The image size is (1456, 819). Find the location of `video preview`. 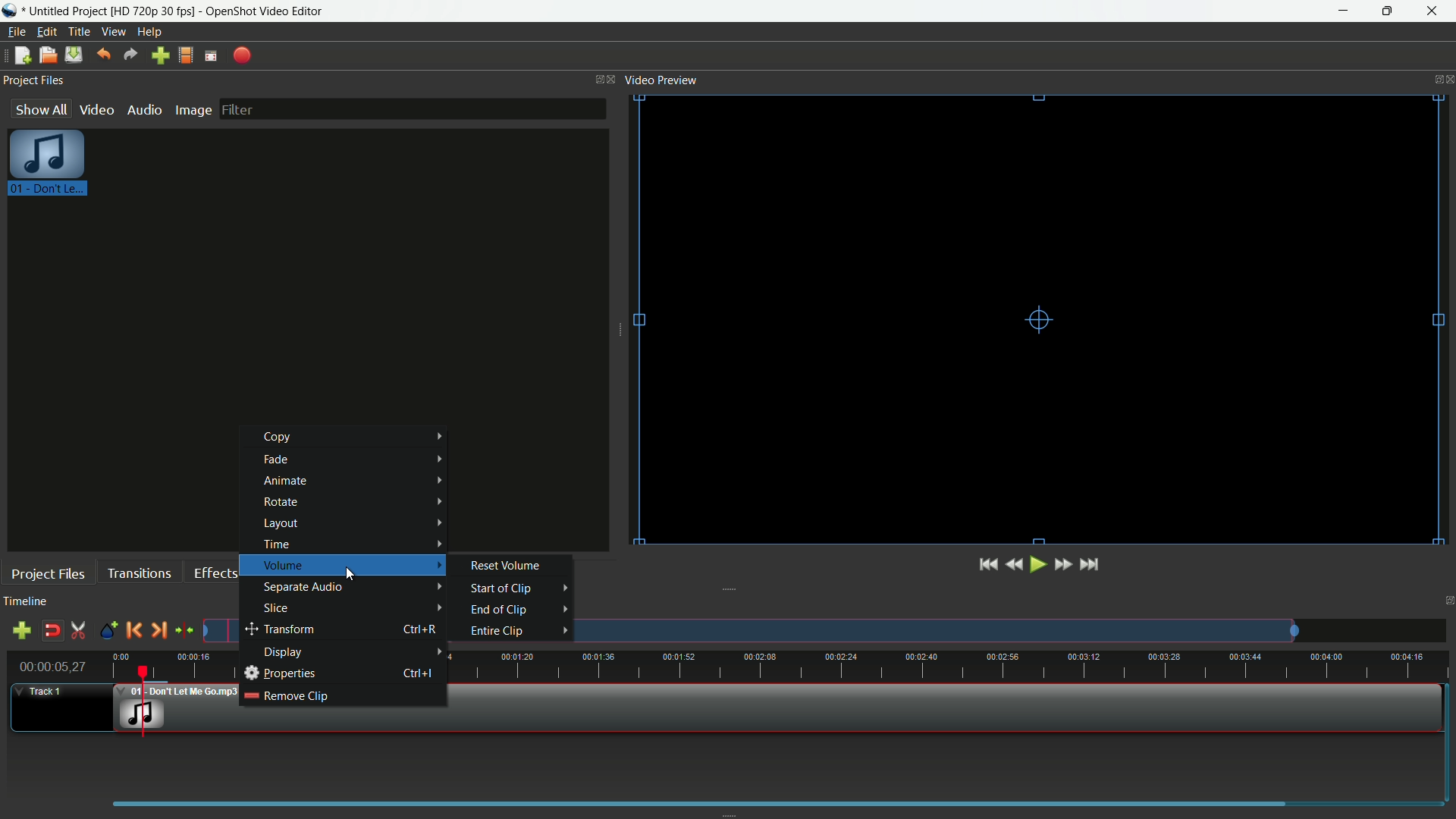

video preview is located at coordinates (1028, 322).